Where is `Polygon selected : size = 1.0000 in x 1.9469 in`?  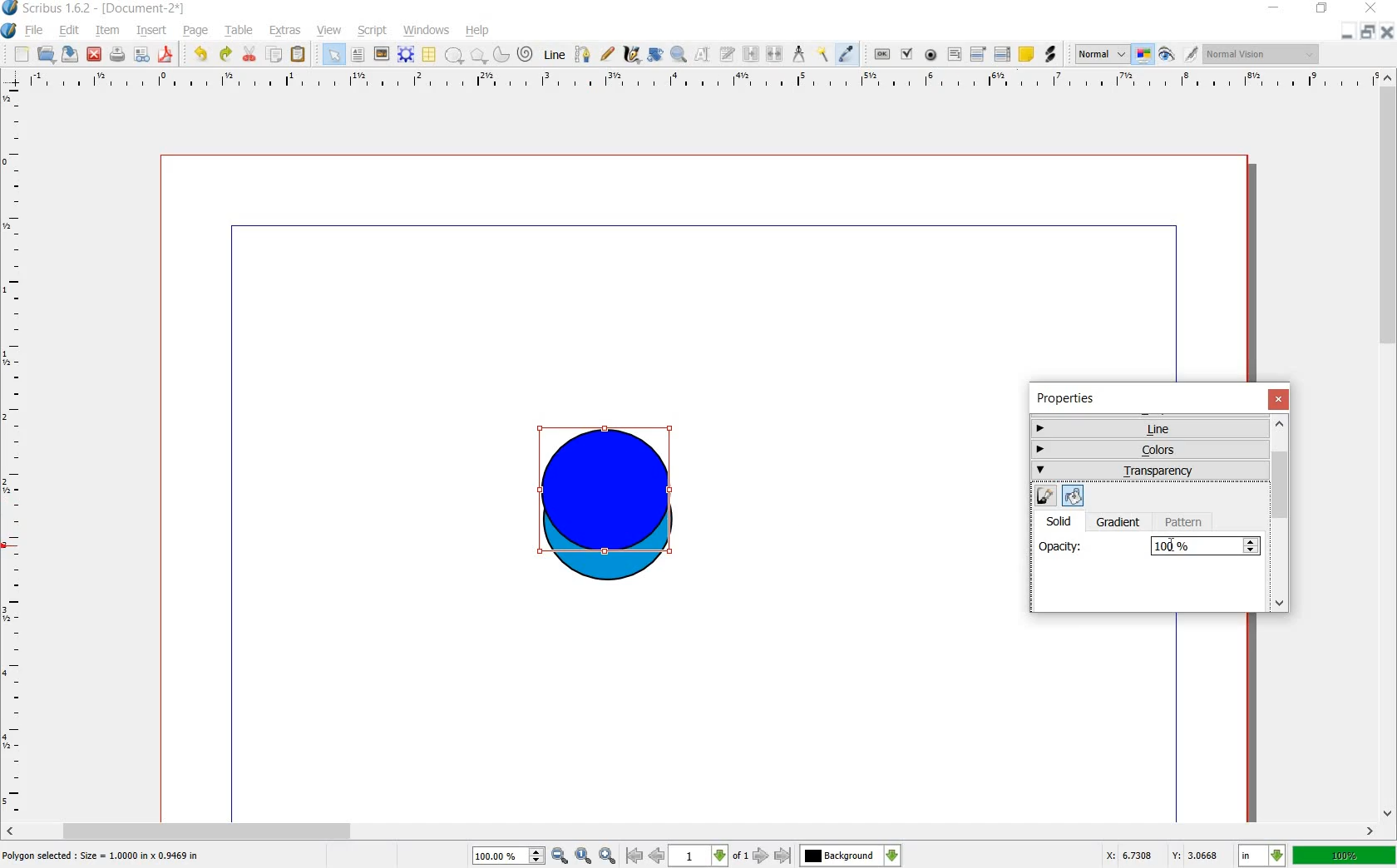
Polygon selected : size = 1.0000 in x 1.9469 in is located at coordinates (102, 855).